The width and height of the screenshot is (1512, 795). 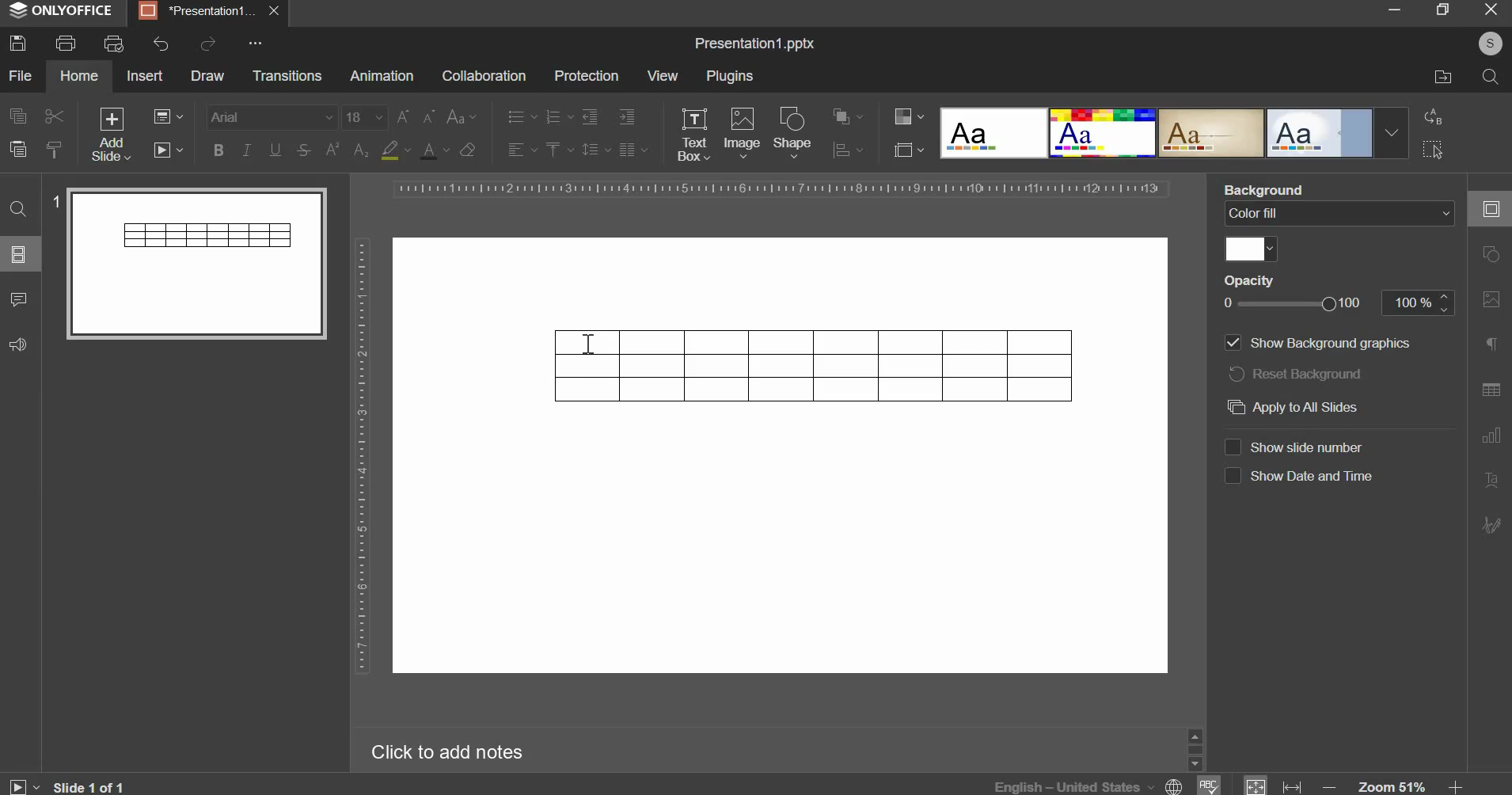 I want to click on plugins, so click(x=731, y=76).